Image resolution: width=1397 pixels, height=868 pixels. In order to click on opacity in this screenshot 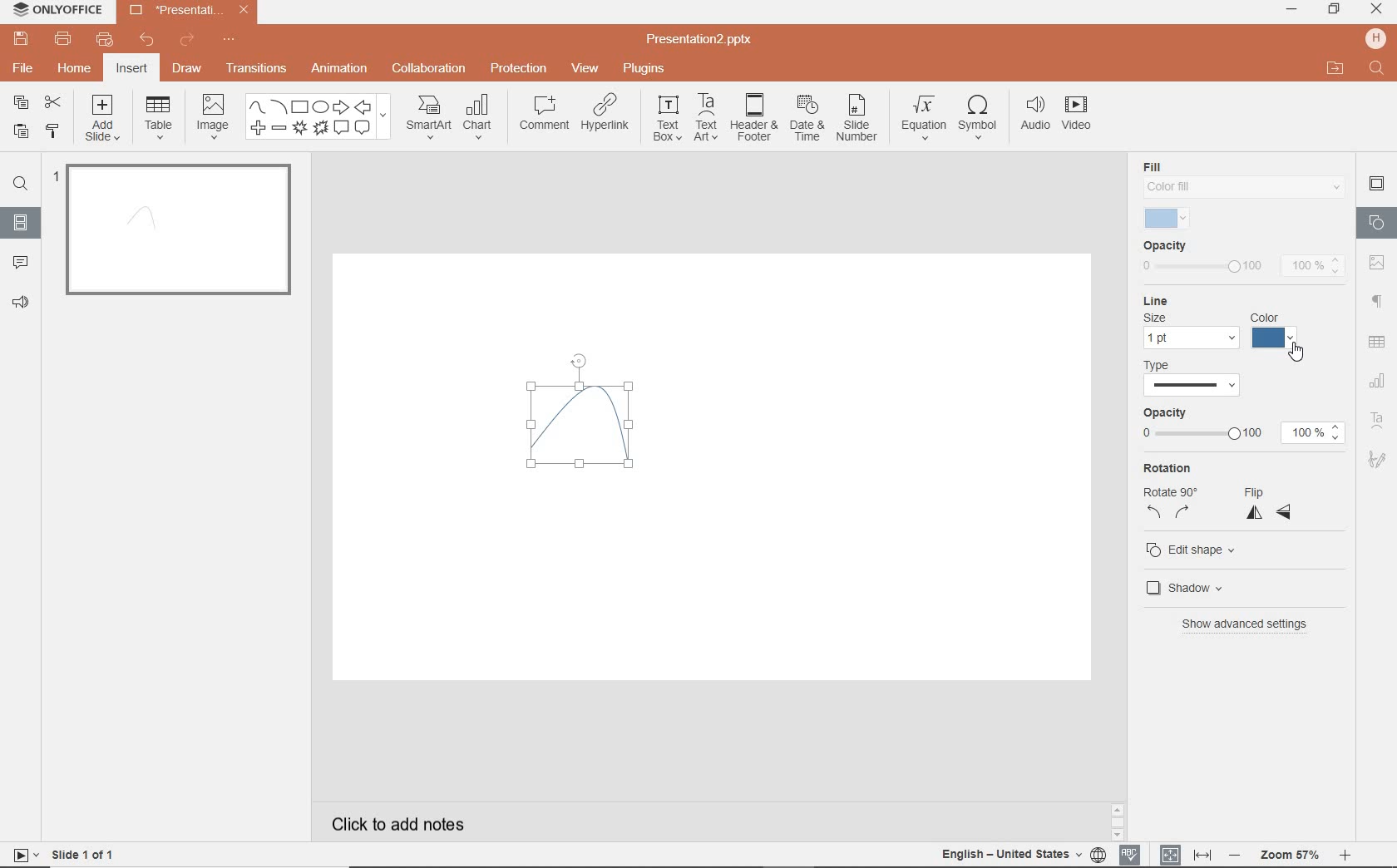, I will do `click(1205, 428)`.